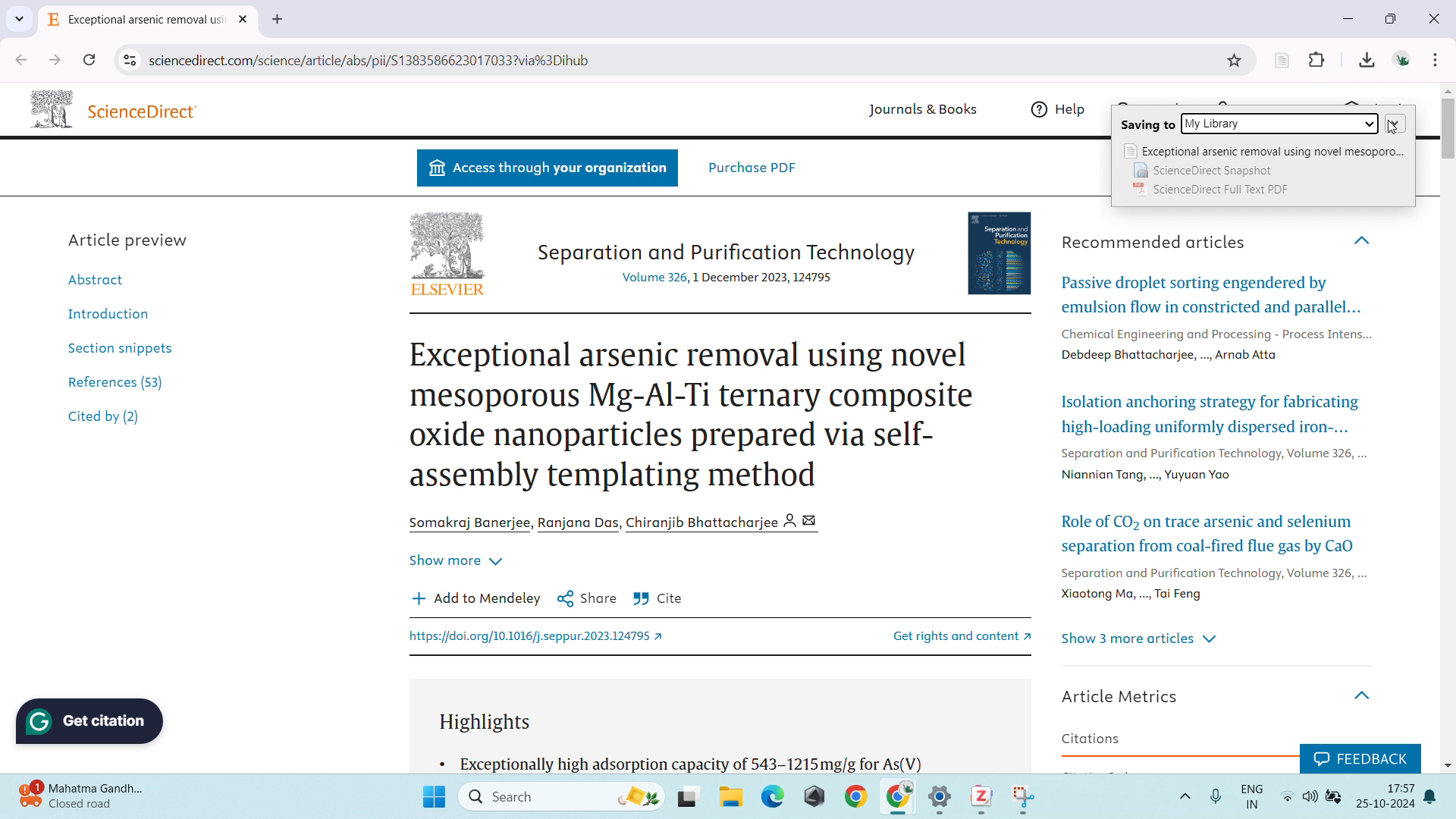 This screenshot has height=819, width=1456. I want to click on Separation and Purification Technology, Volume 320, ...
Niannian Tang, .., Yuyuan Yao, so click(1214, 466).